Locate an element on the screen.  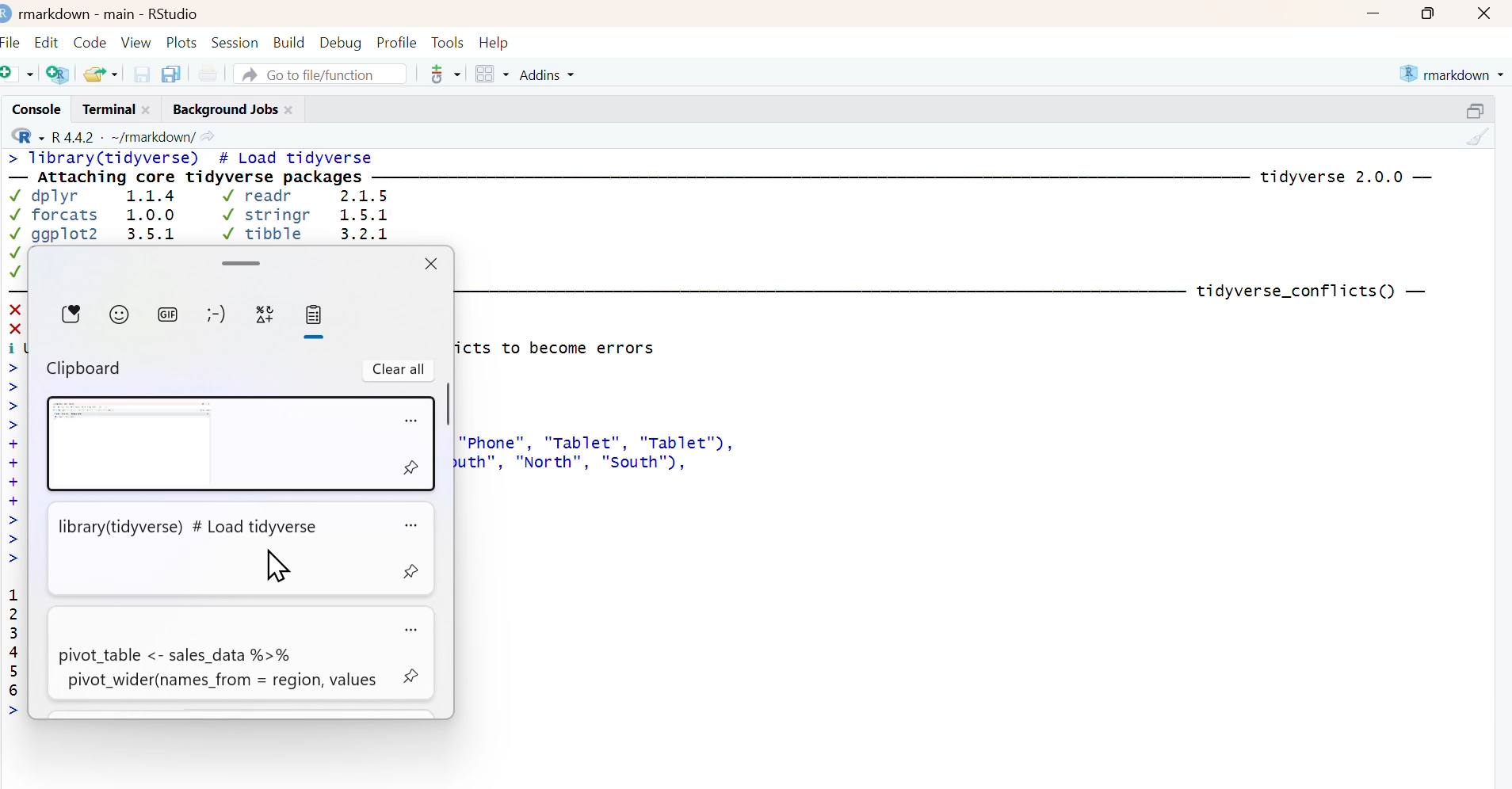
emojis is located at coordinates (121, 319).